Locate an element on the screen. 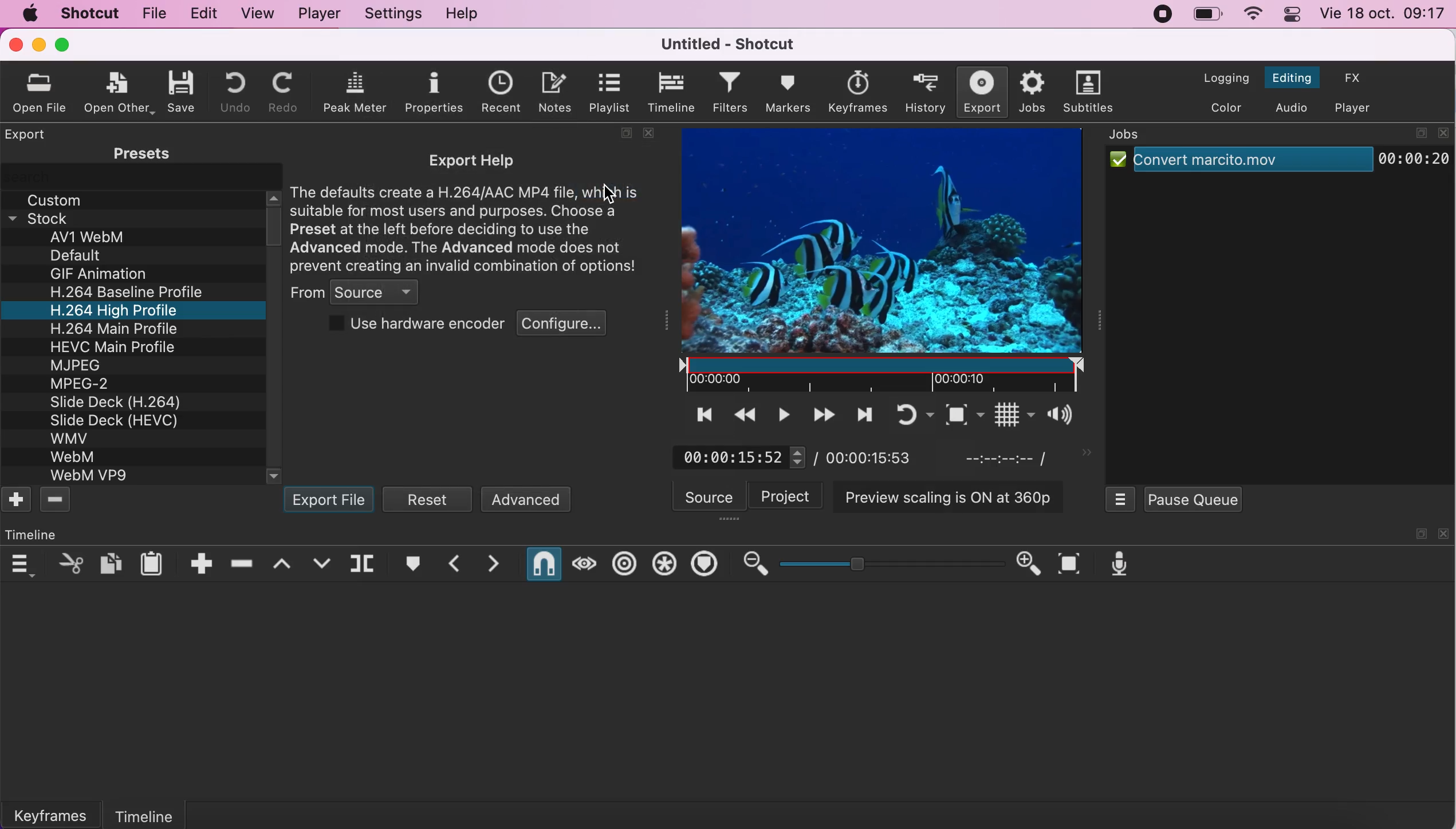 The width and height of the screenshot is (1456, 829). player is located at coordinates (317, 13).